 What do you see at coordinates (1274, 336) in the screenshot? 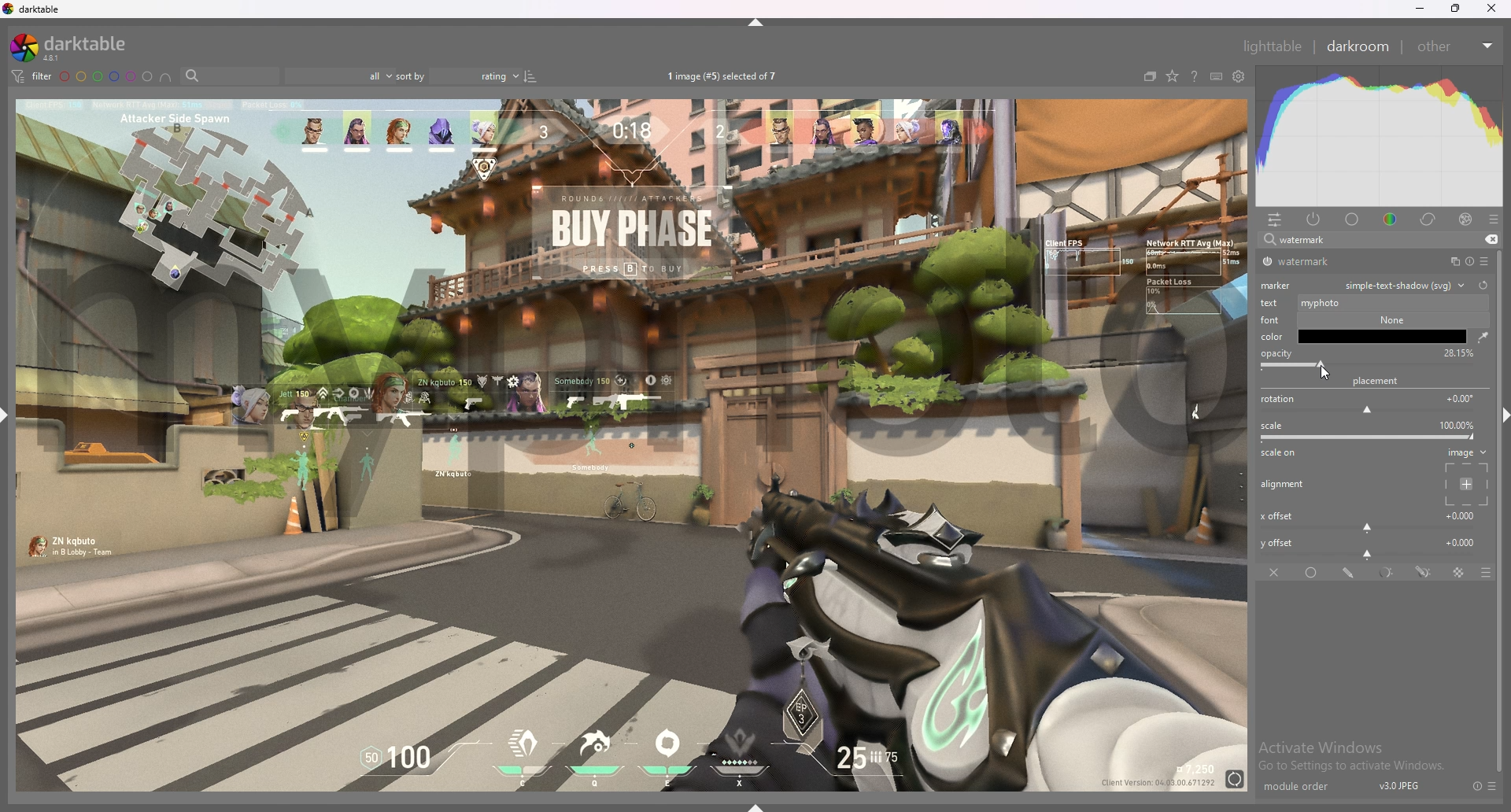
I see `color` at bounding box center [1274, 336].